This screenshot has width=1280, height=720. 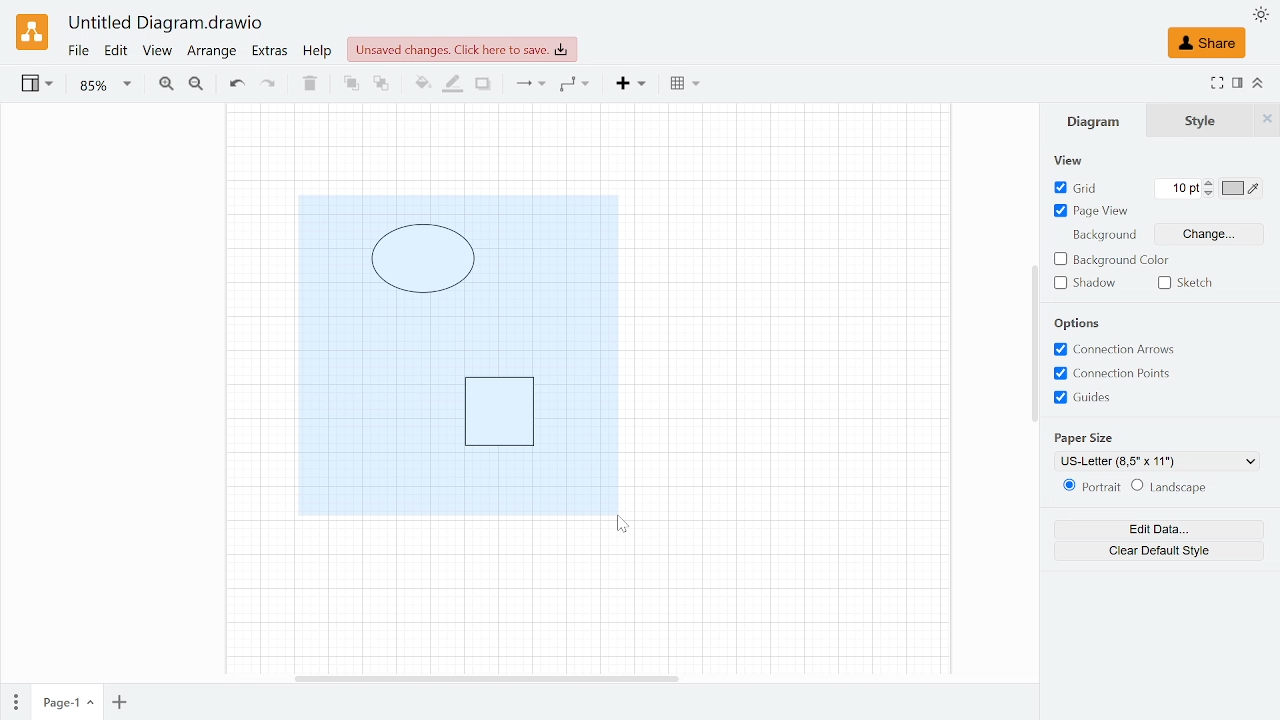 What do you see at coordinates (1210, 182) in the screenshot?
I see `Increase grid unit` at bounding box center [1210, 182].